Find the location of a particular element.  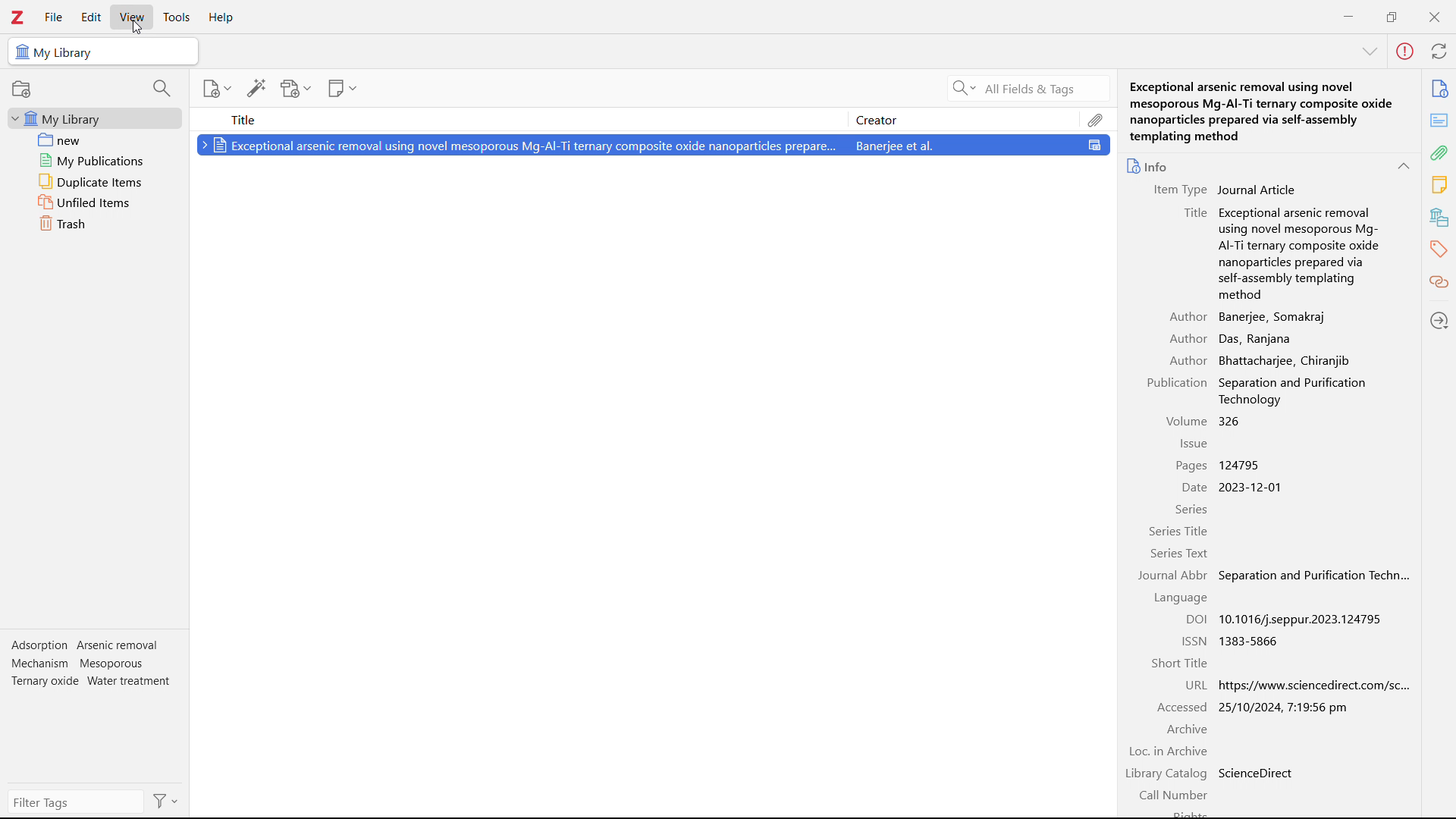

add items by identifiers is located at coordinates (256, 88).